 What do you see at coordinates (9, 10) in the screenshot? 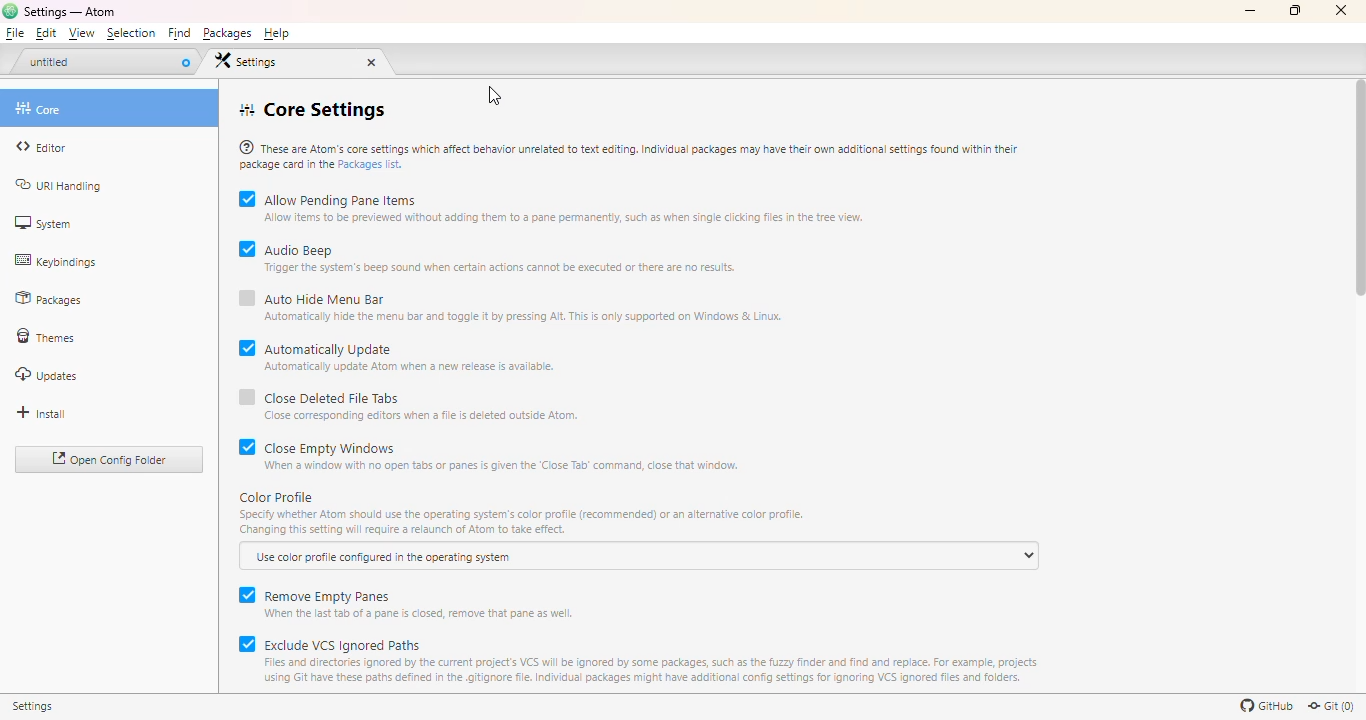
I see `logo` at bounding box center [9, 10].